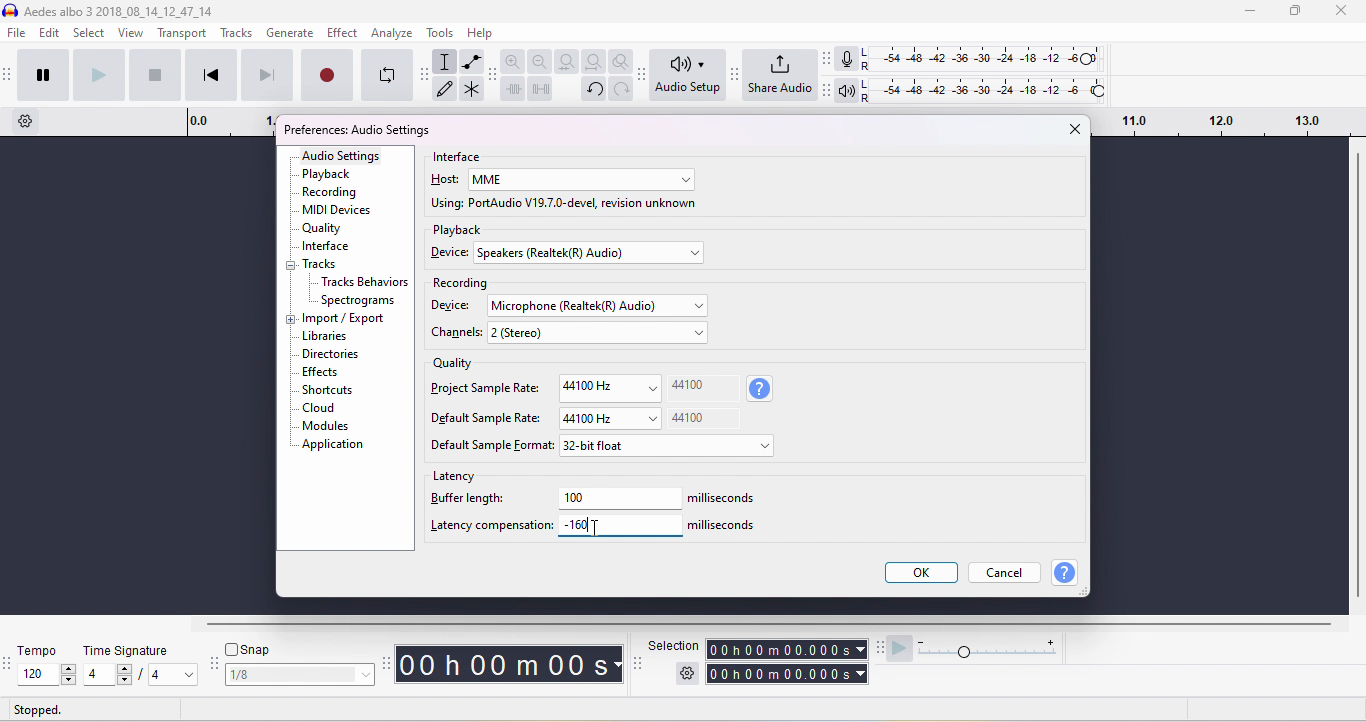 The height and width of the screenshot is (722, 1366). Describe the element at coordinates (689, 384) in the screenshot. I see `44100` at that location.